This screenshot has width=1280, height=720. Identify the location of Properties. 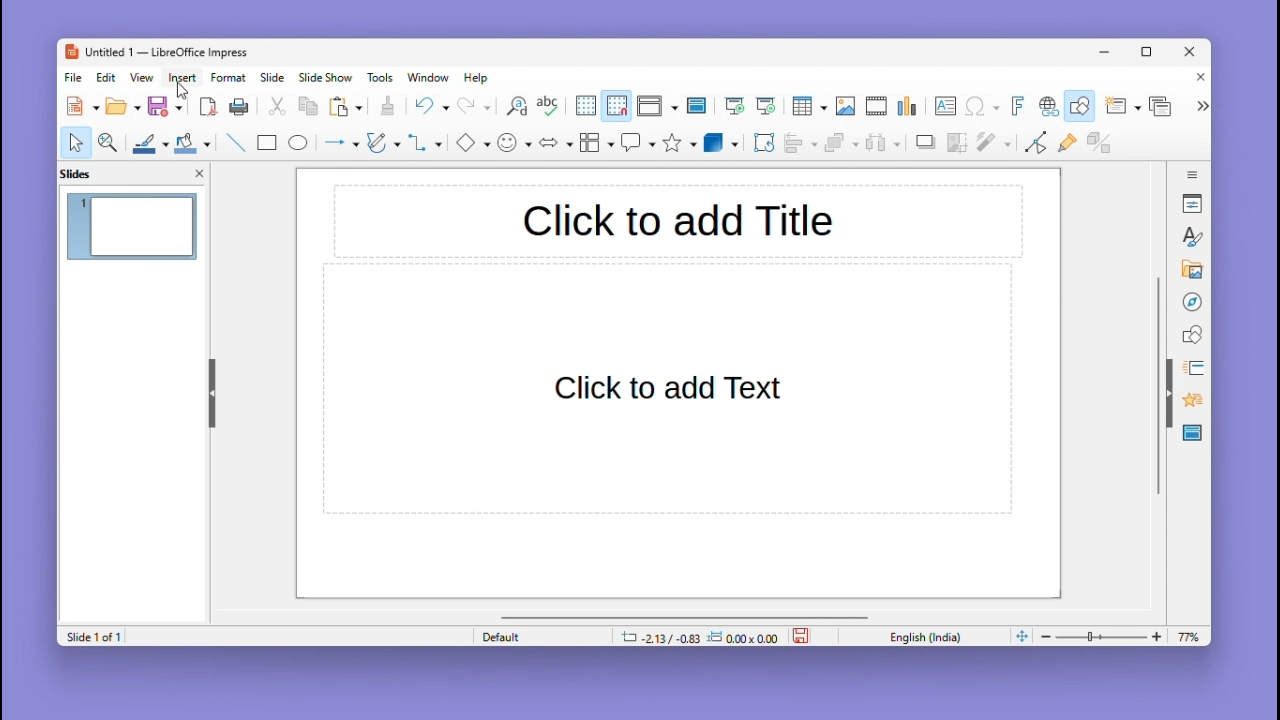
(1194, 203).